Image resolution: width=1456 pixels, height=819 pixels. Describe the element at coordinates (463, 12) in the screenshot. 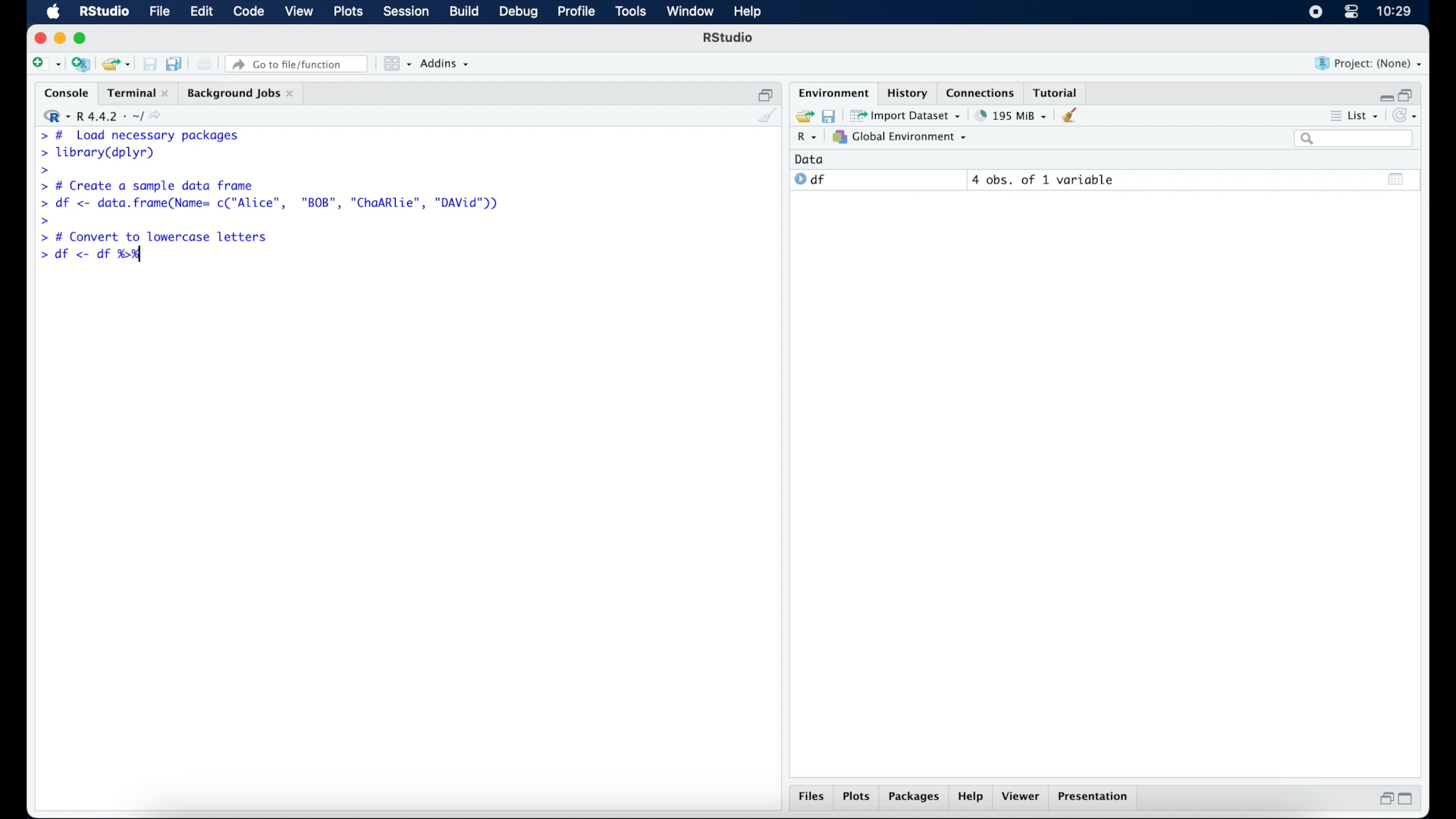

I see `build` at that location.